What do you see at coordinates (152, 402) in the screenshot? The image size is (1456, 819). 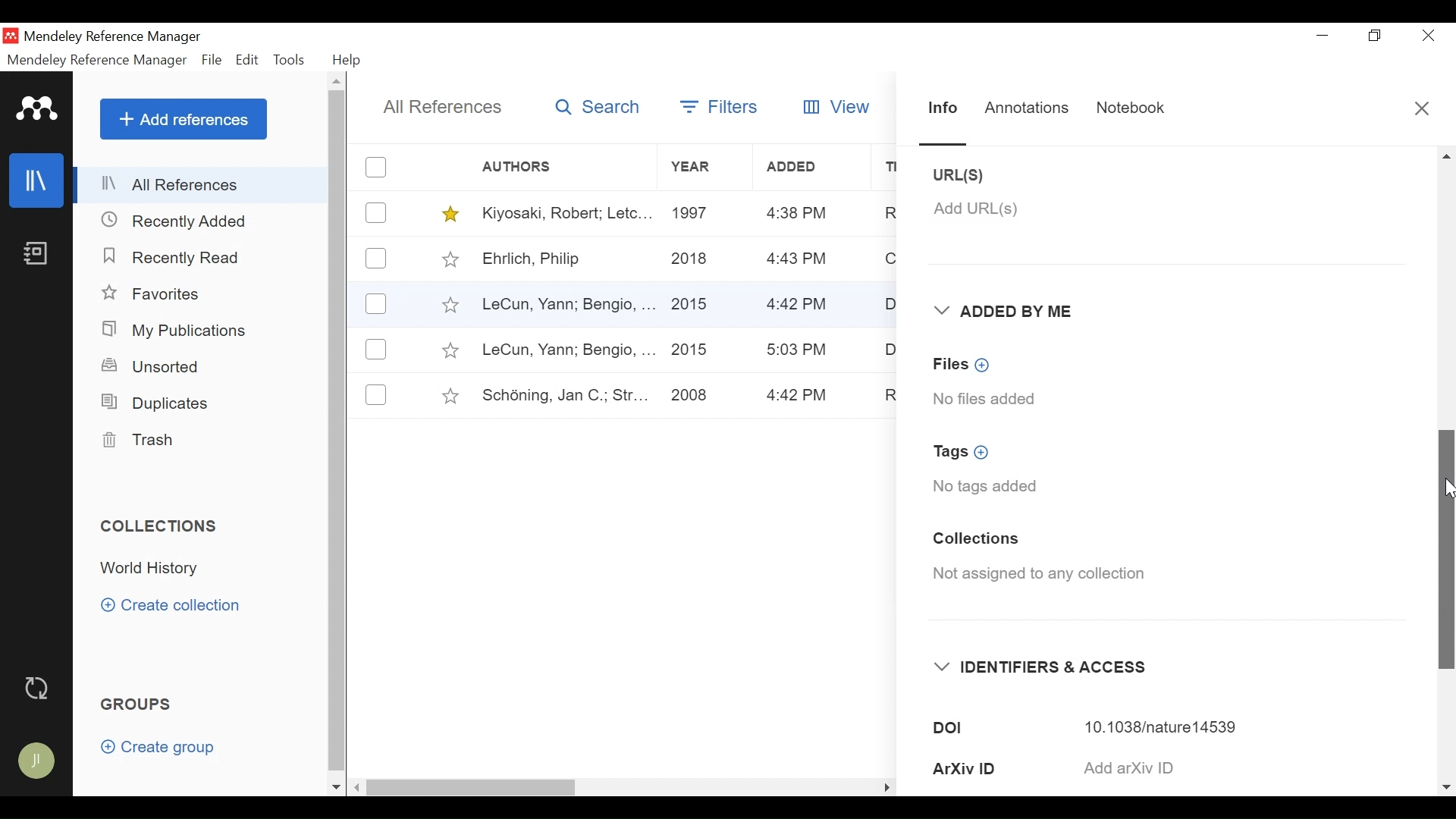 I see `Duplicates` at bounding box center [152, 402].